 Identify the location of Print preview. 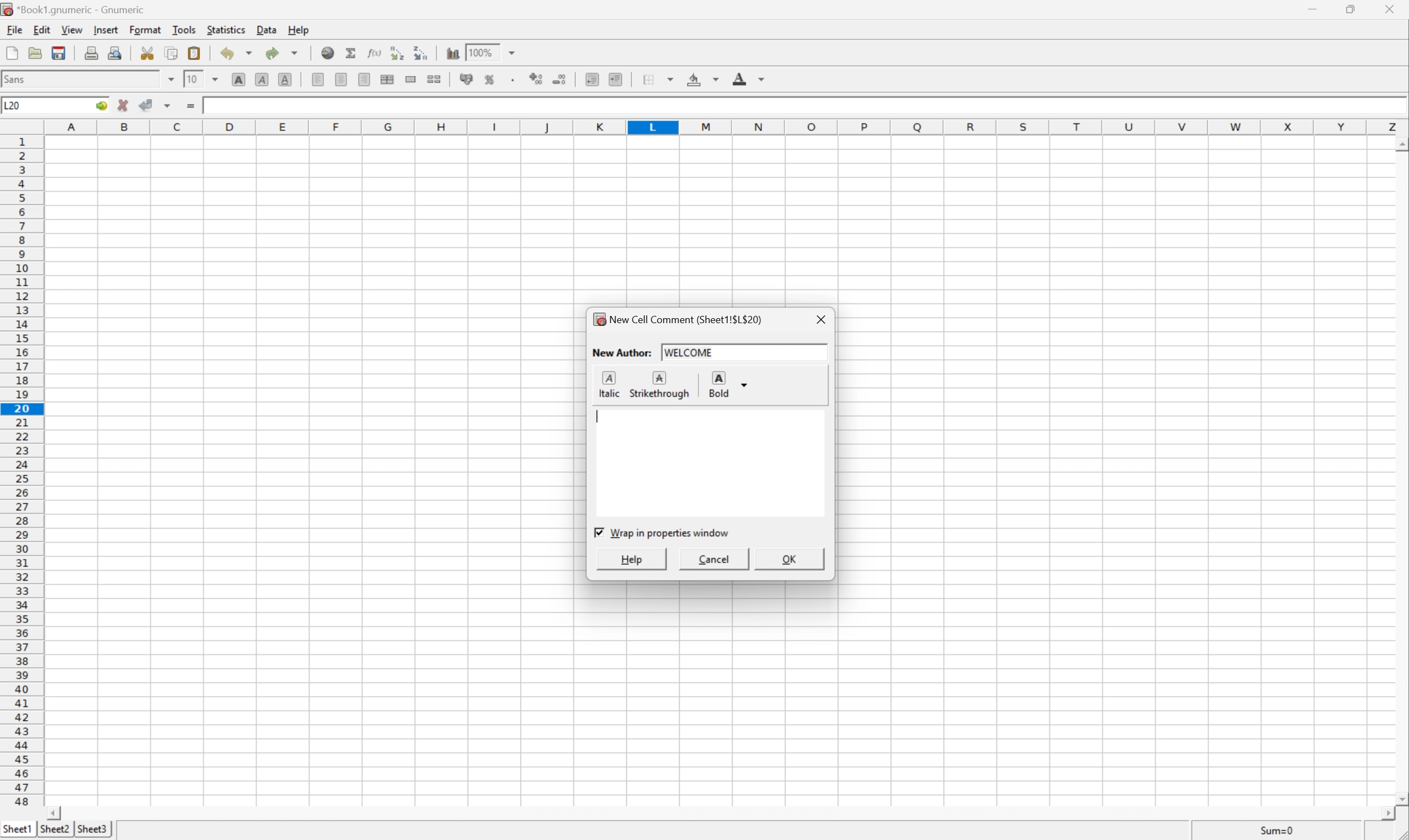
(114, 53).